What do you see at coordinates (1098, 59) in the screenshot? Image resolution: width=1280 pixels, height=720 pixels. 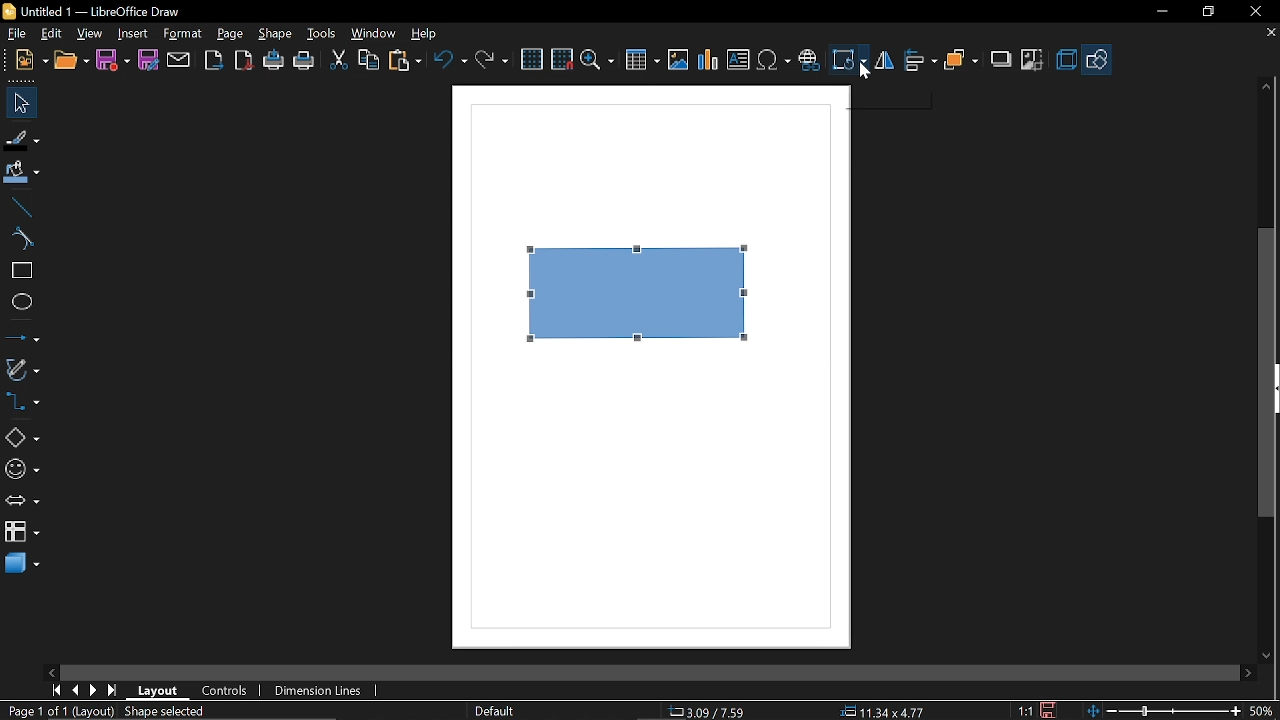 I see `shapes` at bounding box center [1098, 59].